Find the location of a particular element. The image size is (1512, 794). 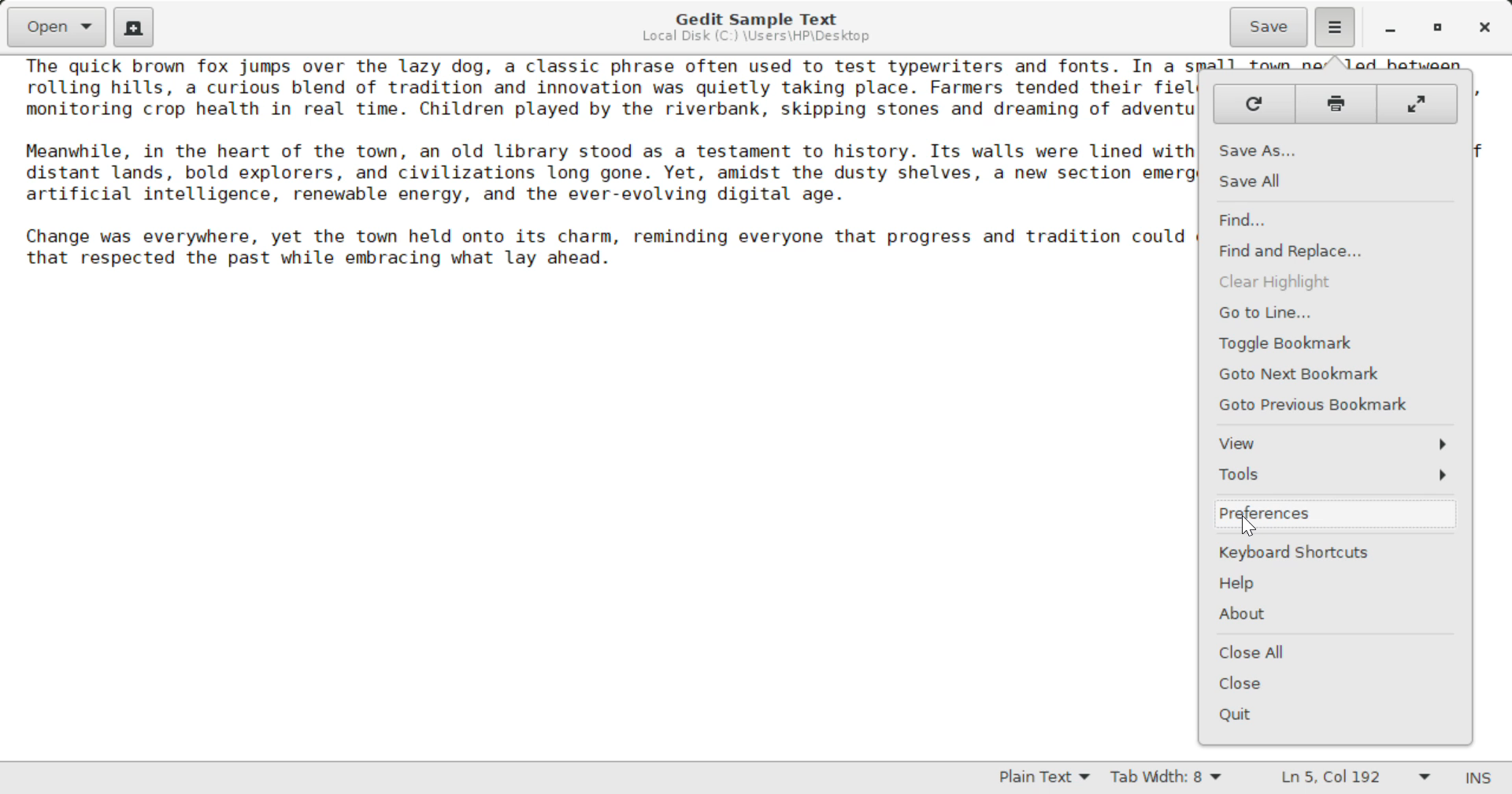

Find is located at coordinates (1277, 220).